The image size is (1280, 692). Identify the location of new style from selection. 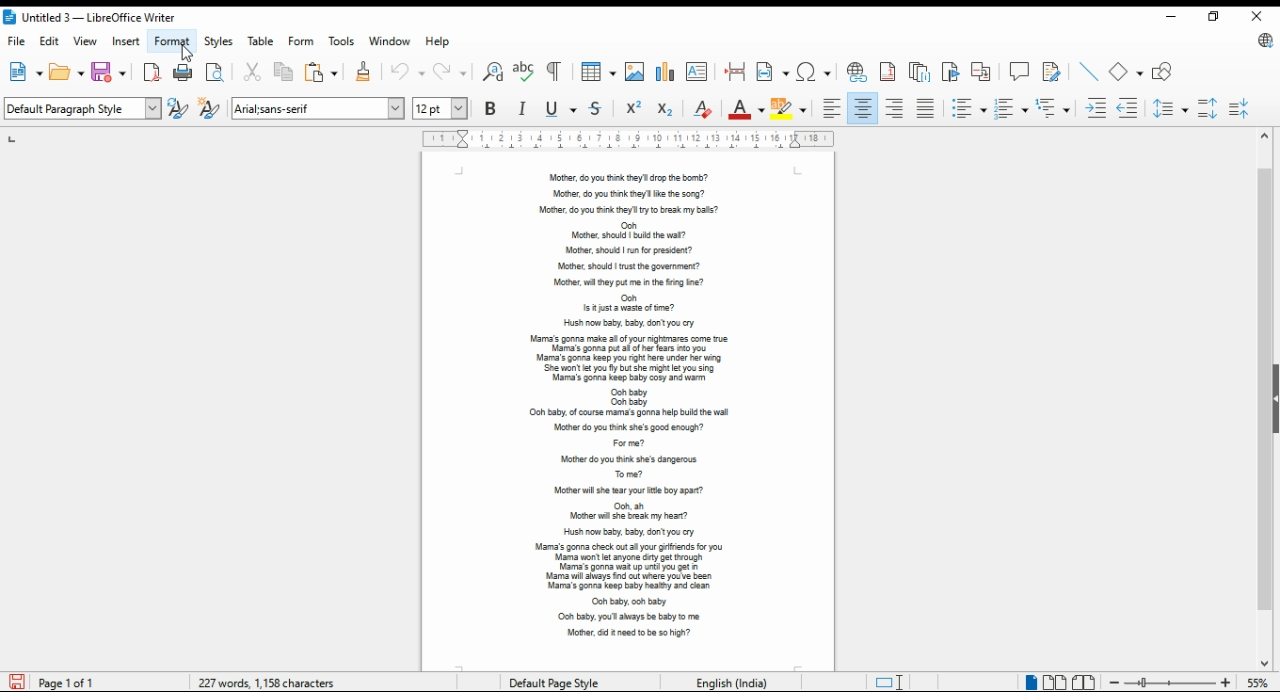
(210, 108).